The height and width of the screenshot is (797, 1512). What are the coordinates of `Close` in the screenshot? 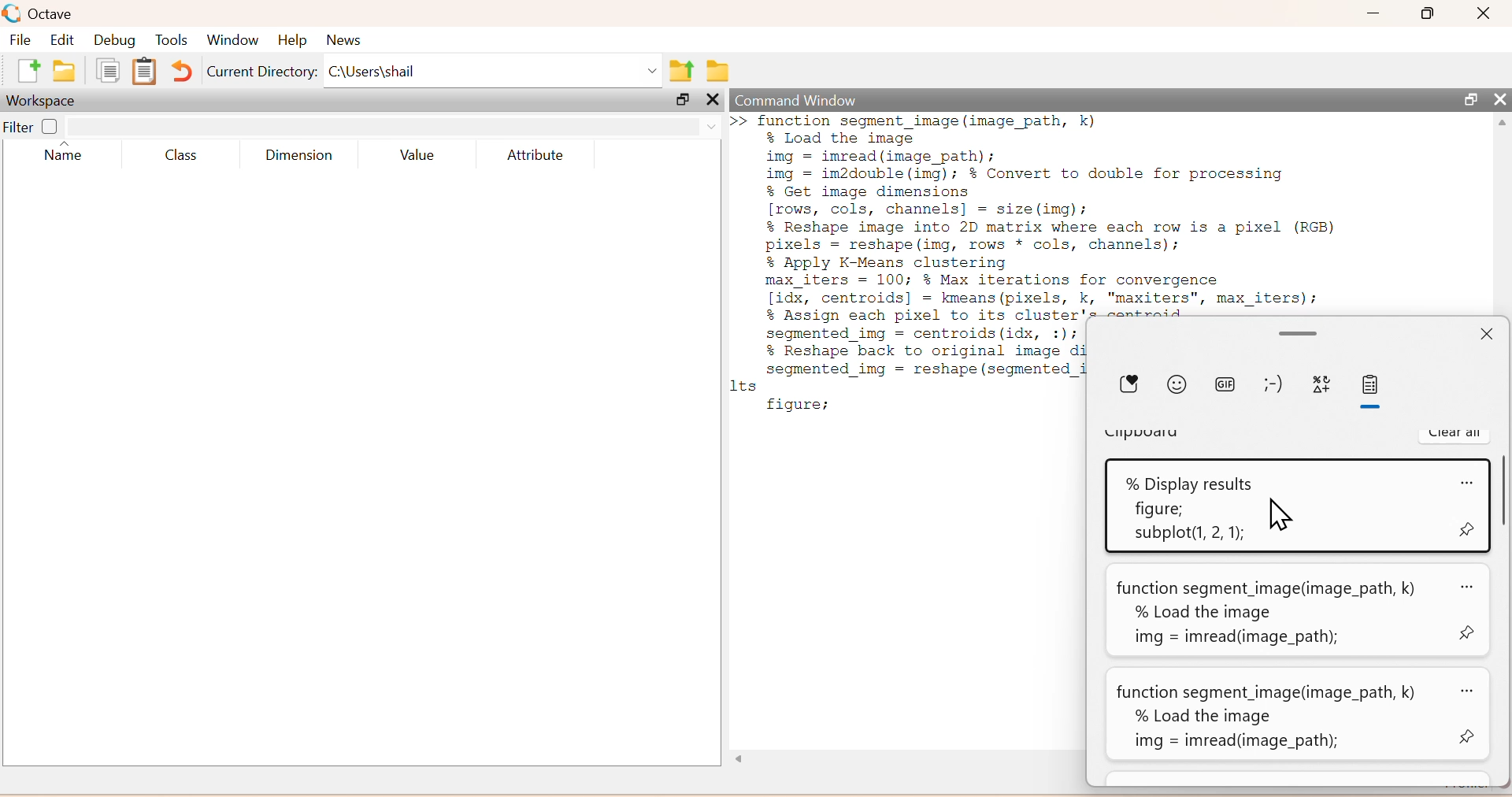 It's located at (1483, 13).